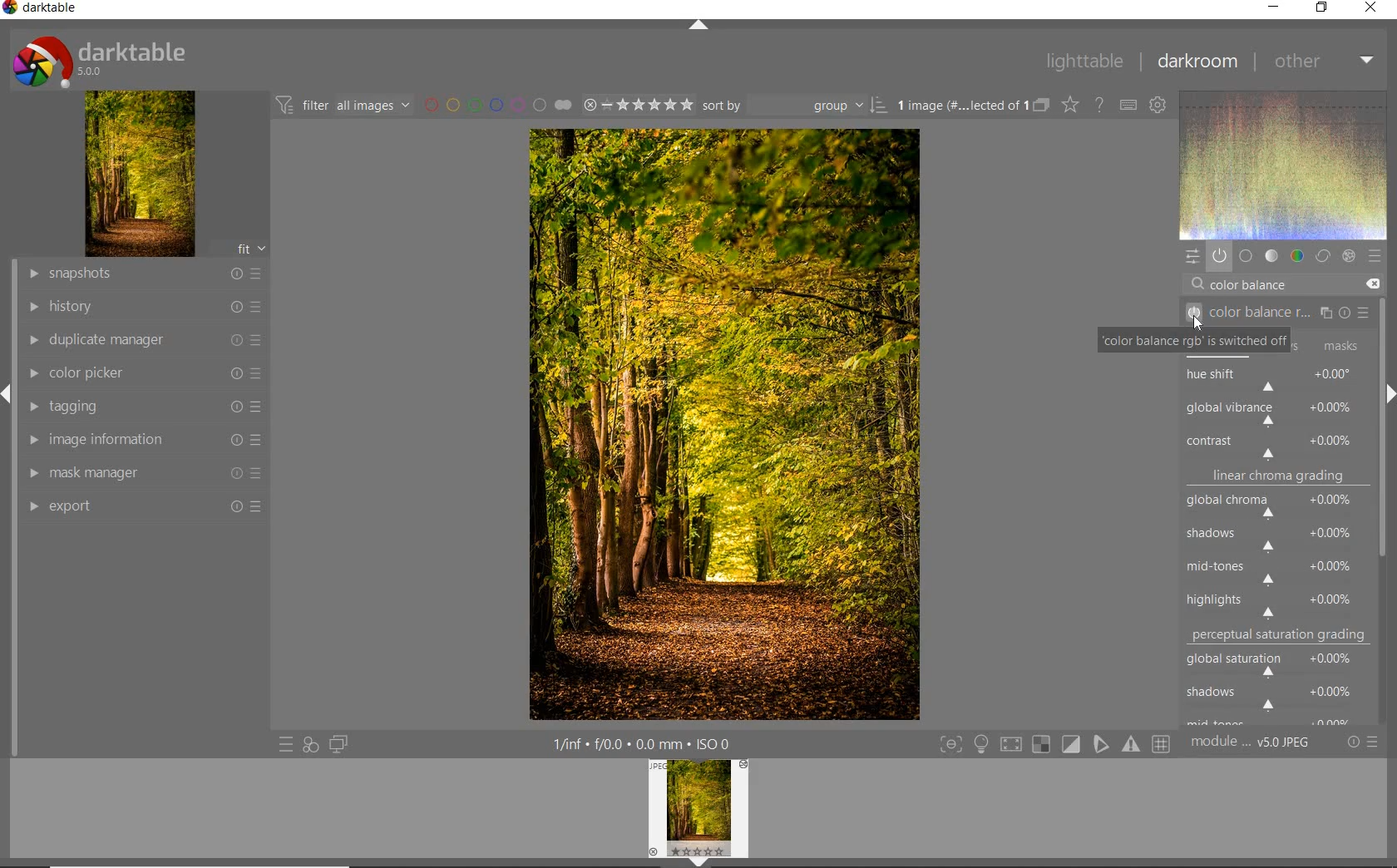 The width and height of the screenshot is (1397, 868). Describe the element at coordinates (696, 25) in the screenshot. I see `expand/collapse` at that location.